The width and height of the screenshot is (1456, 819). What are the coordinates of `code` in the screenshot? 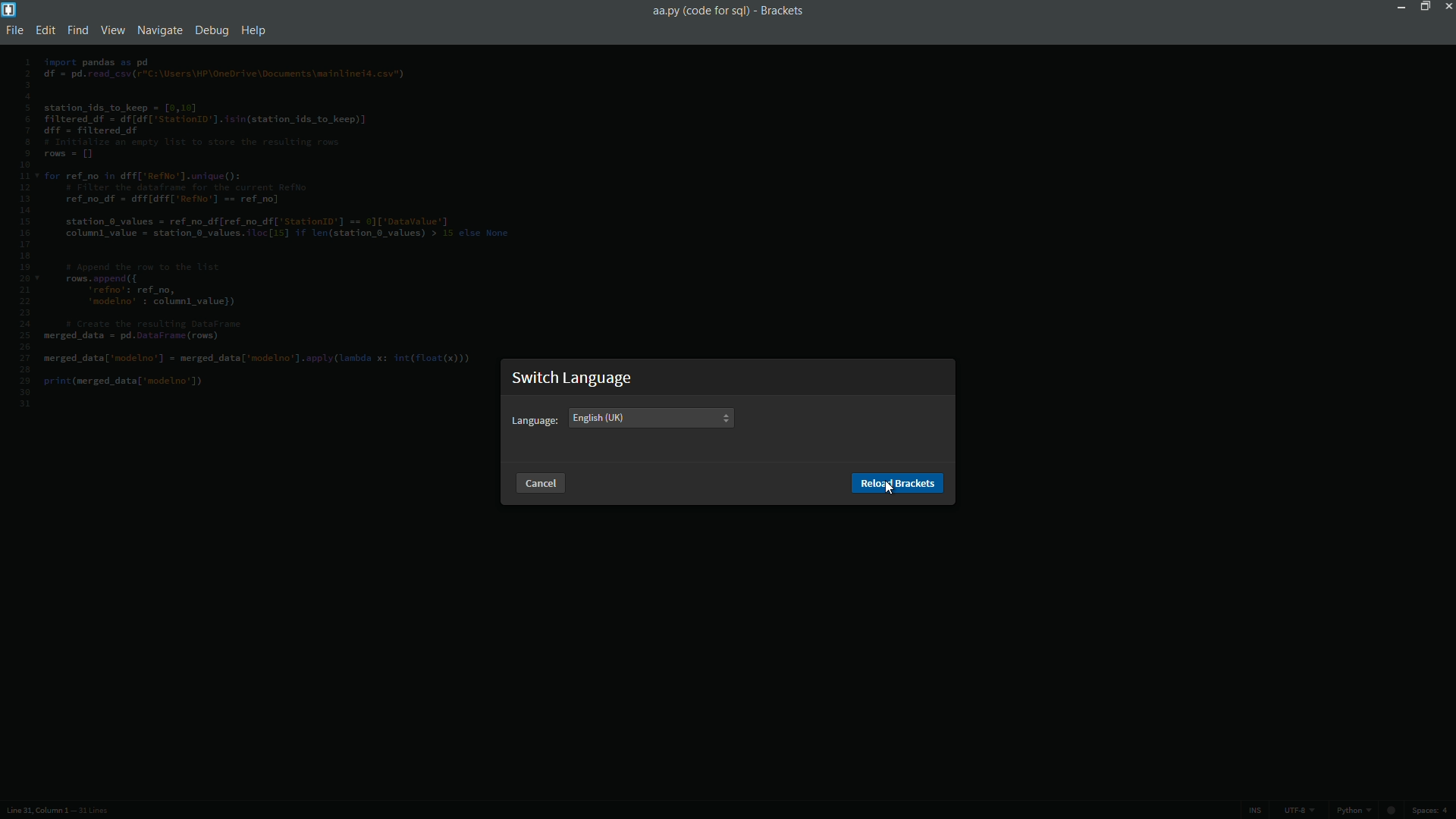 It's located at (268, 226).